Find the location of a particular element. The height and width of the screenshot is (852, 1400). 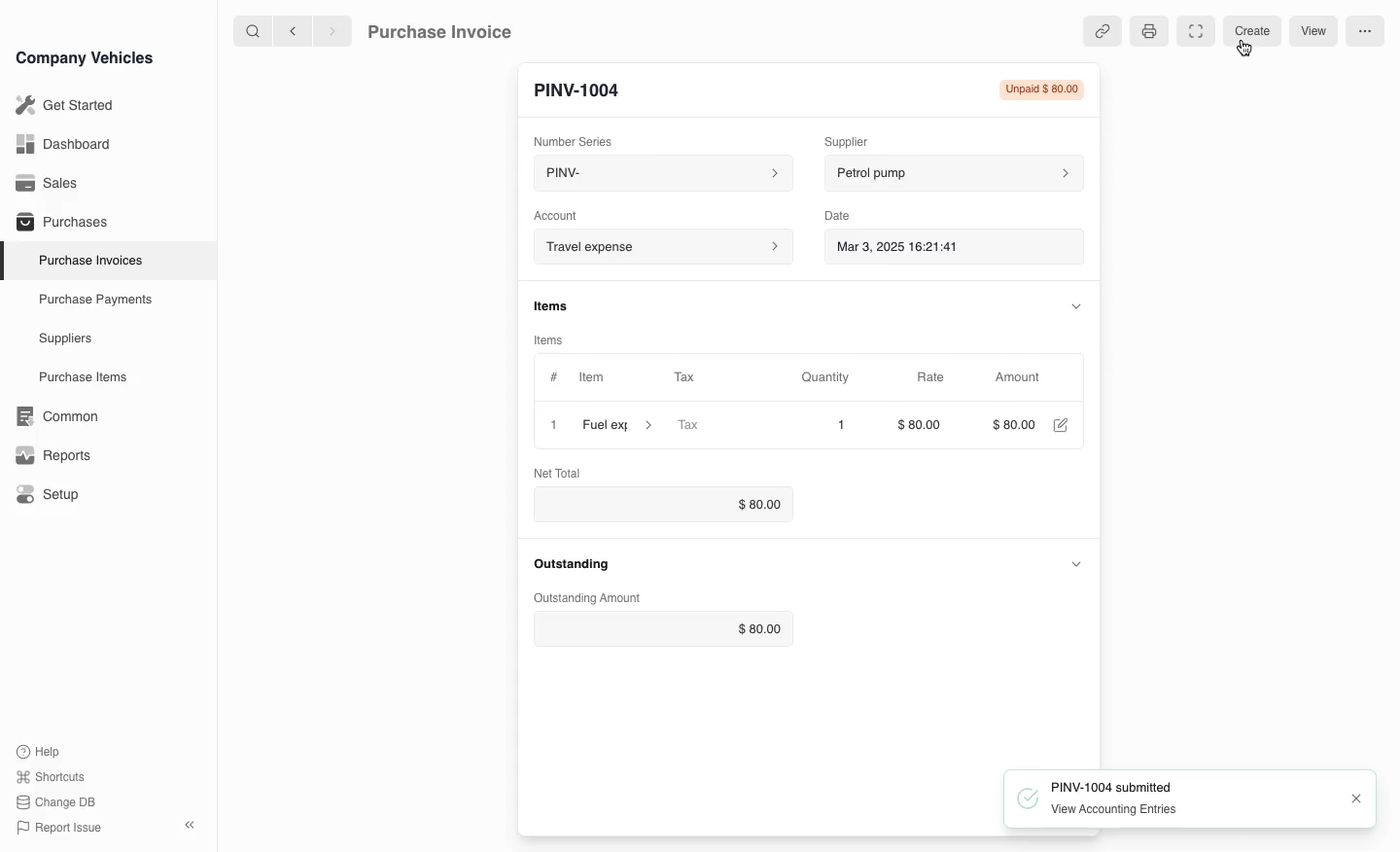

$000 is located at coordinates (1017, 426).